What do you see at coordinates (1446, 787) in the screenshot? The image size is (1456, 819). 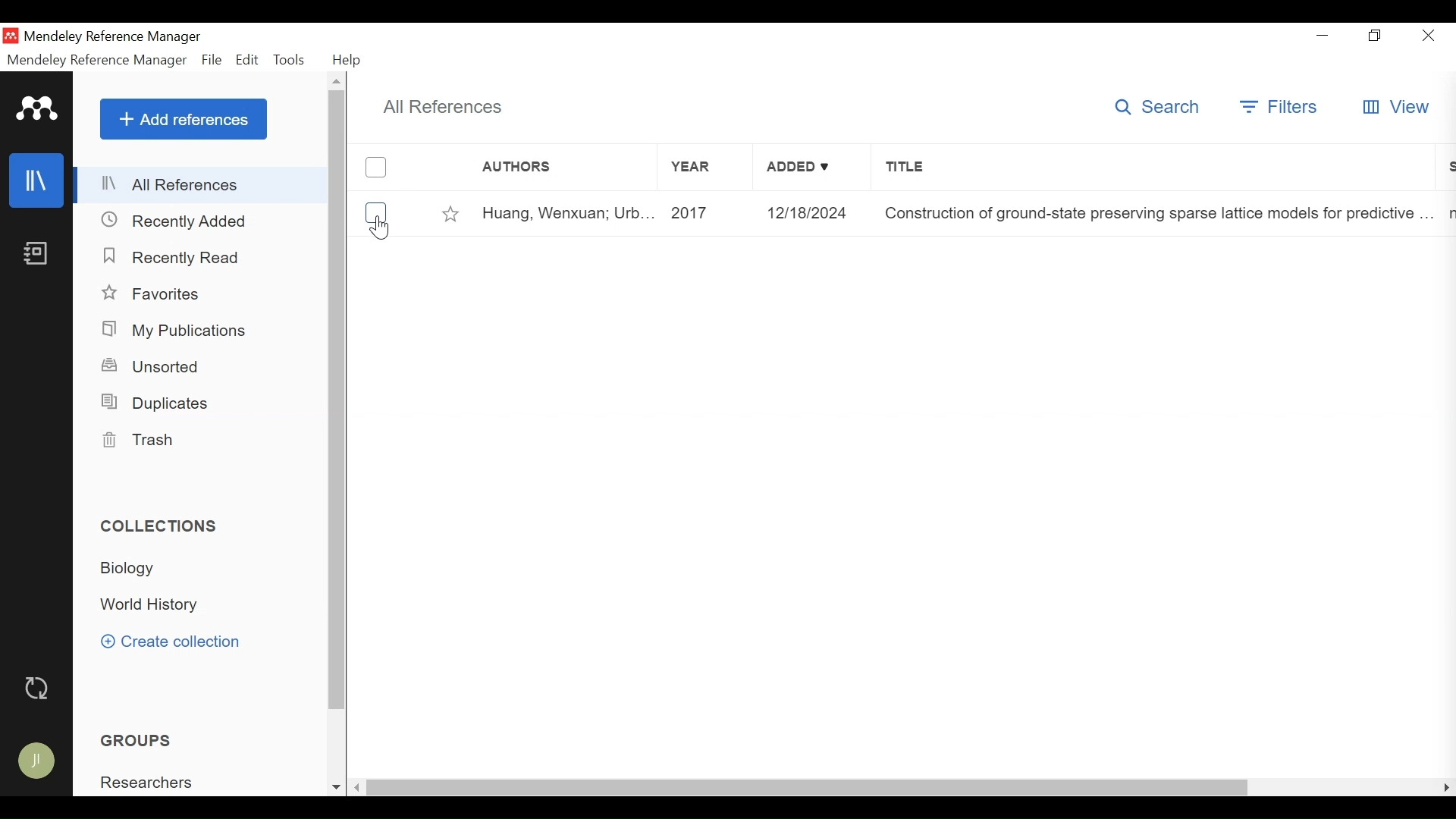 I see `Scroll Right` at bounding box center [1446, 787].